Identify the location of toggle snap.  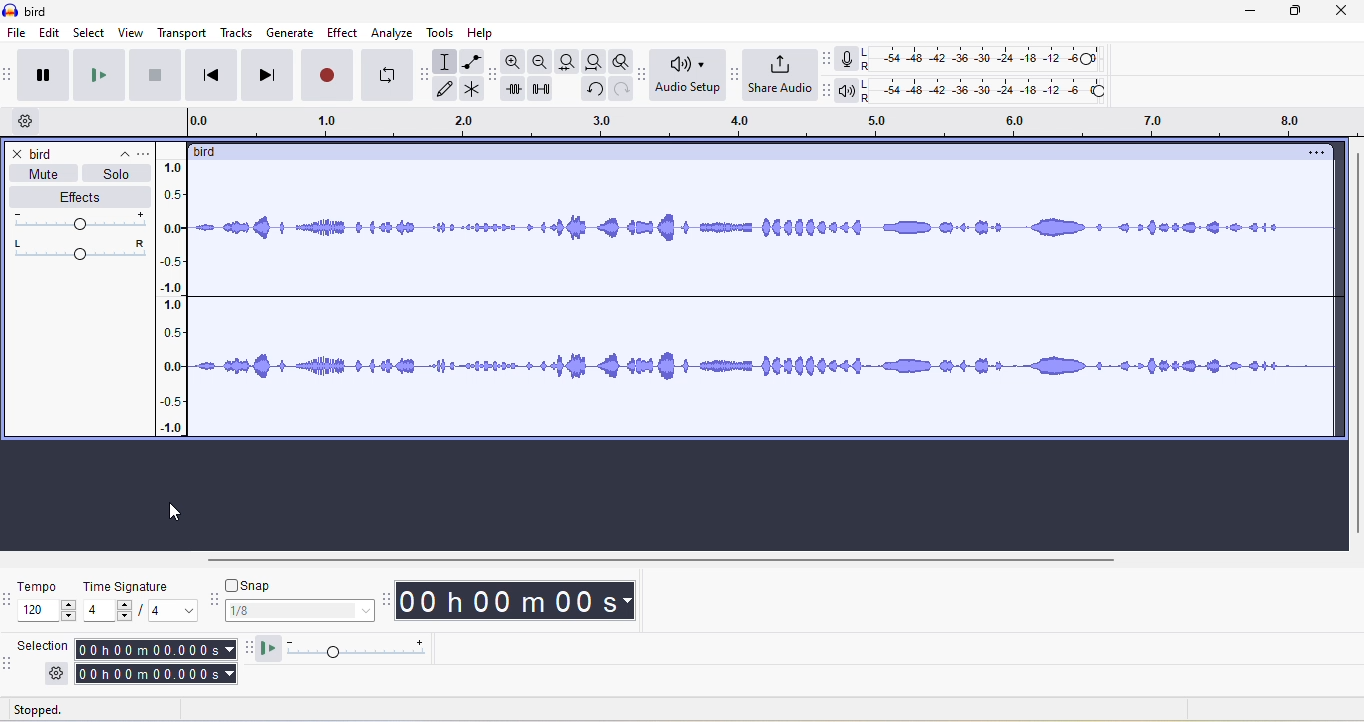
(255, 584).